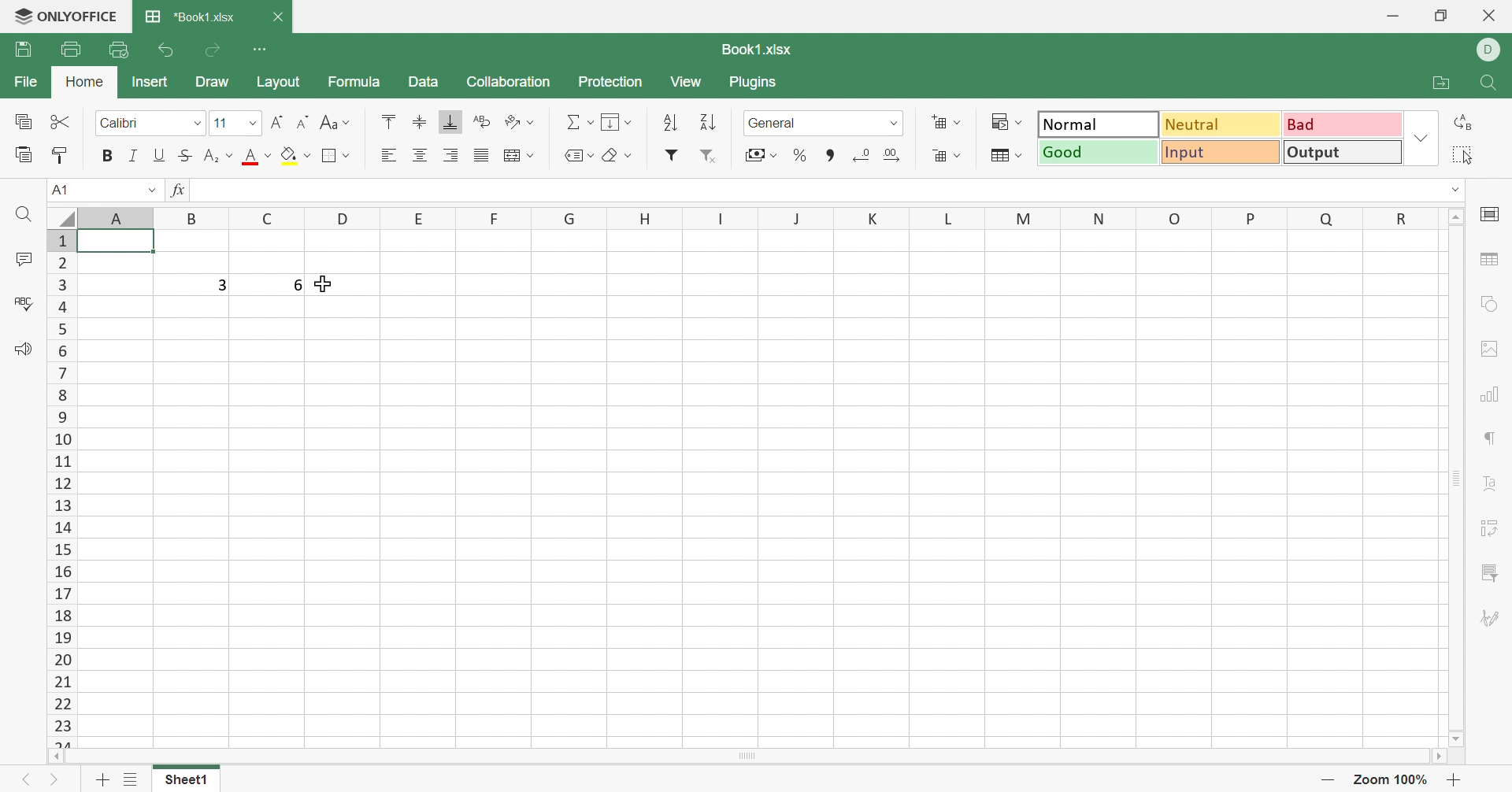 This screenshot has width=1512, height=792. Describe the element at coordinates (453, 121) in the screenshot. I see `Align bottom` at that location.